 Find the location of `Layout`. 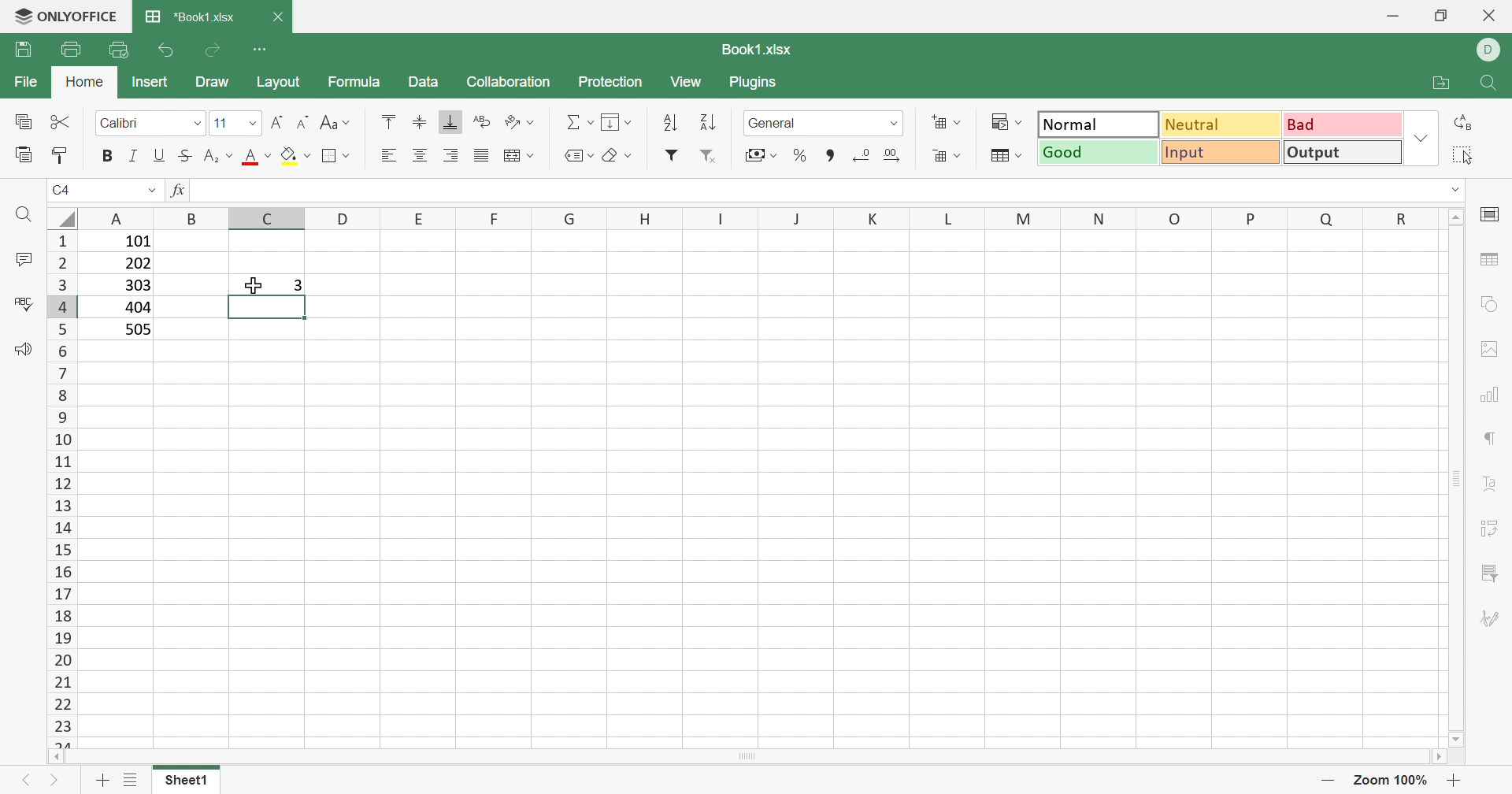

Layout is located at coordinates (284, 83).